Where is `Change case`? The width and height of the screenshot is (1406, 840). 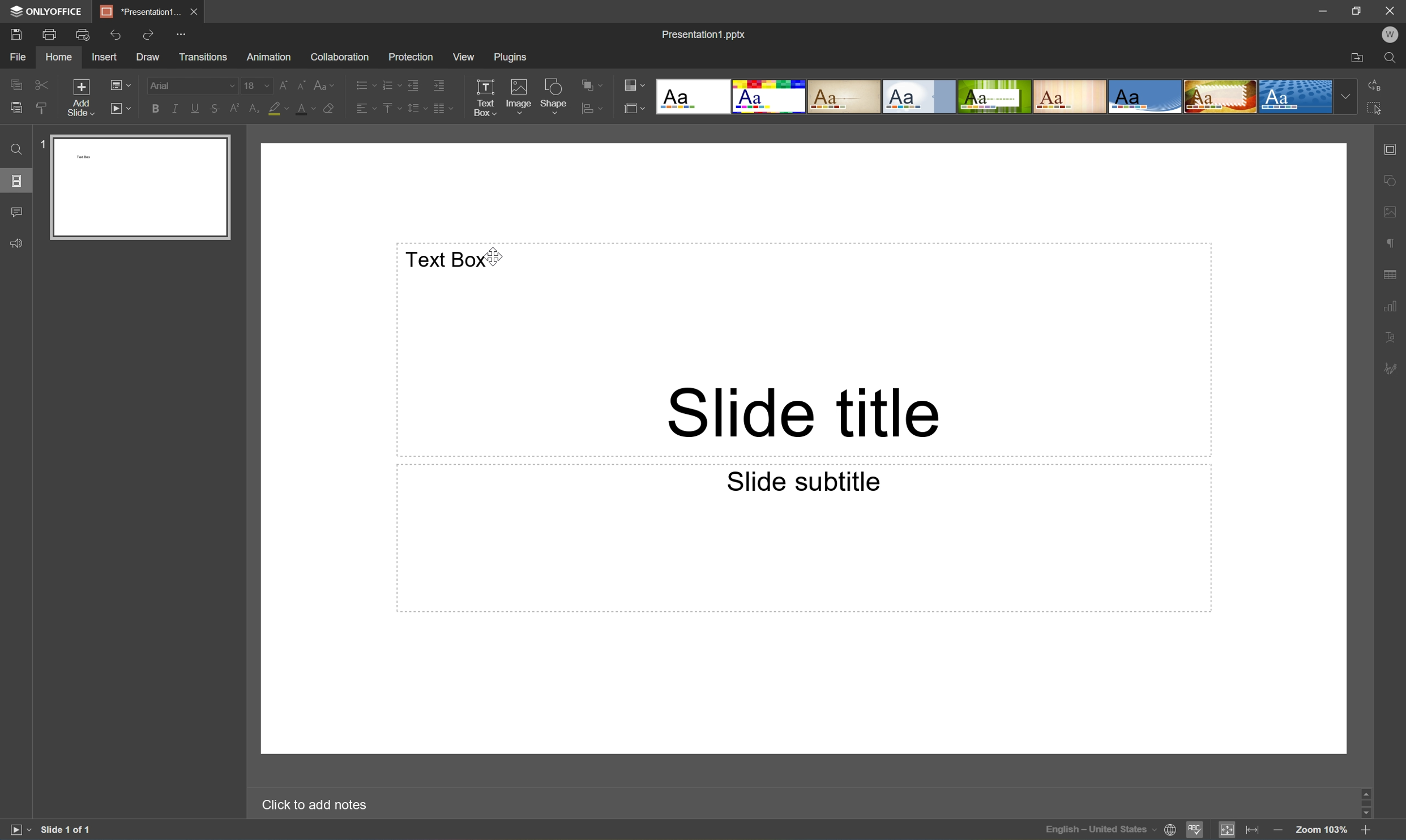 Change case is located at coordinates (324, 84).